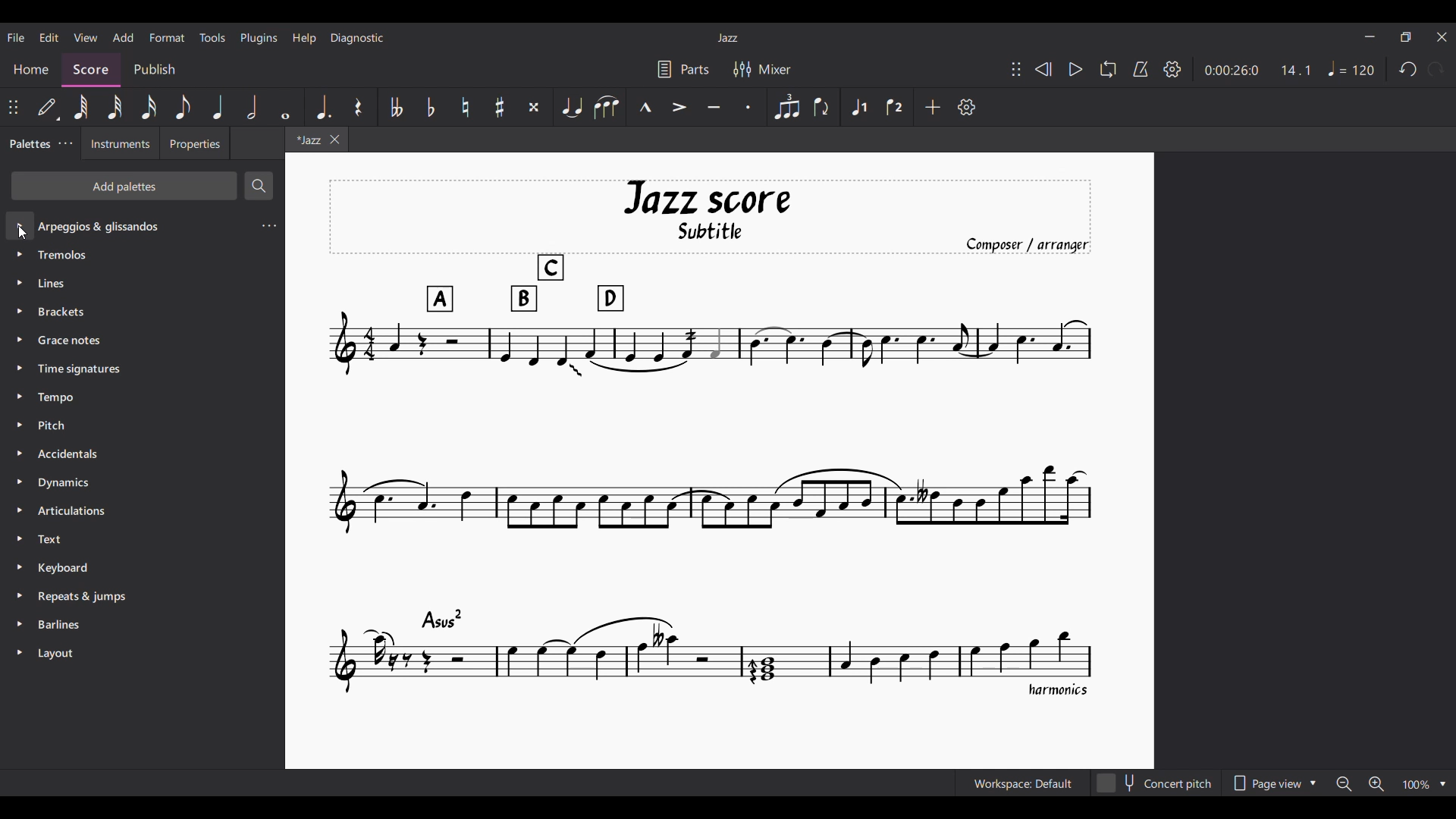 This screenshot has height=819, width=1456. I want to click on Barlines, so click(72, 625).